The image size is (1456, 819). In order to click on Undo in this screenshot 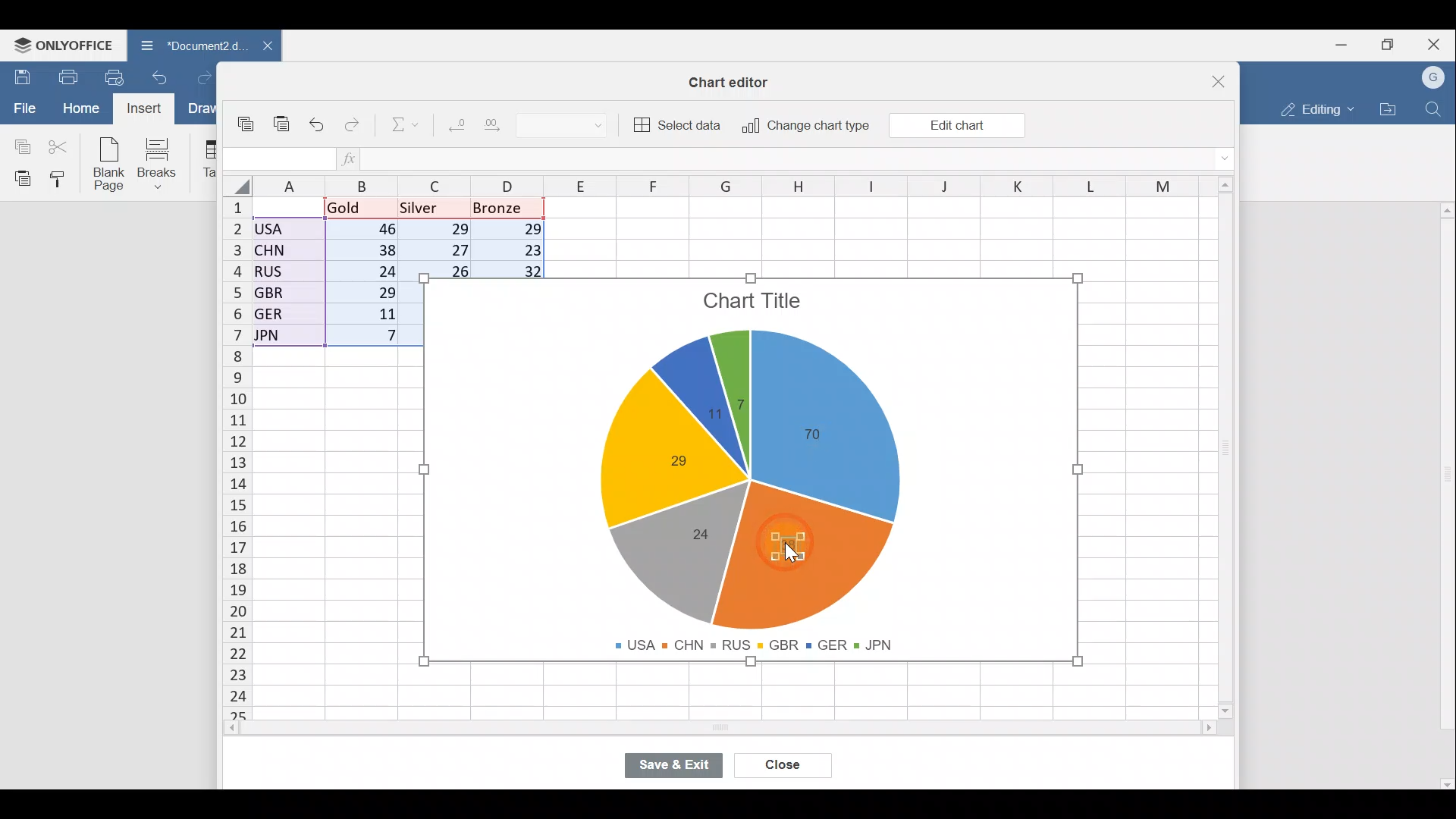, I will do `click(164, 82)`.